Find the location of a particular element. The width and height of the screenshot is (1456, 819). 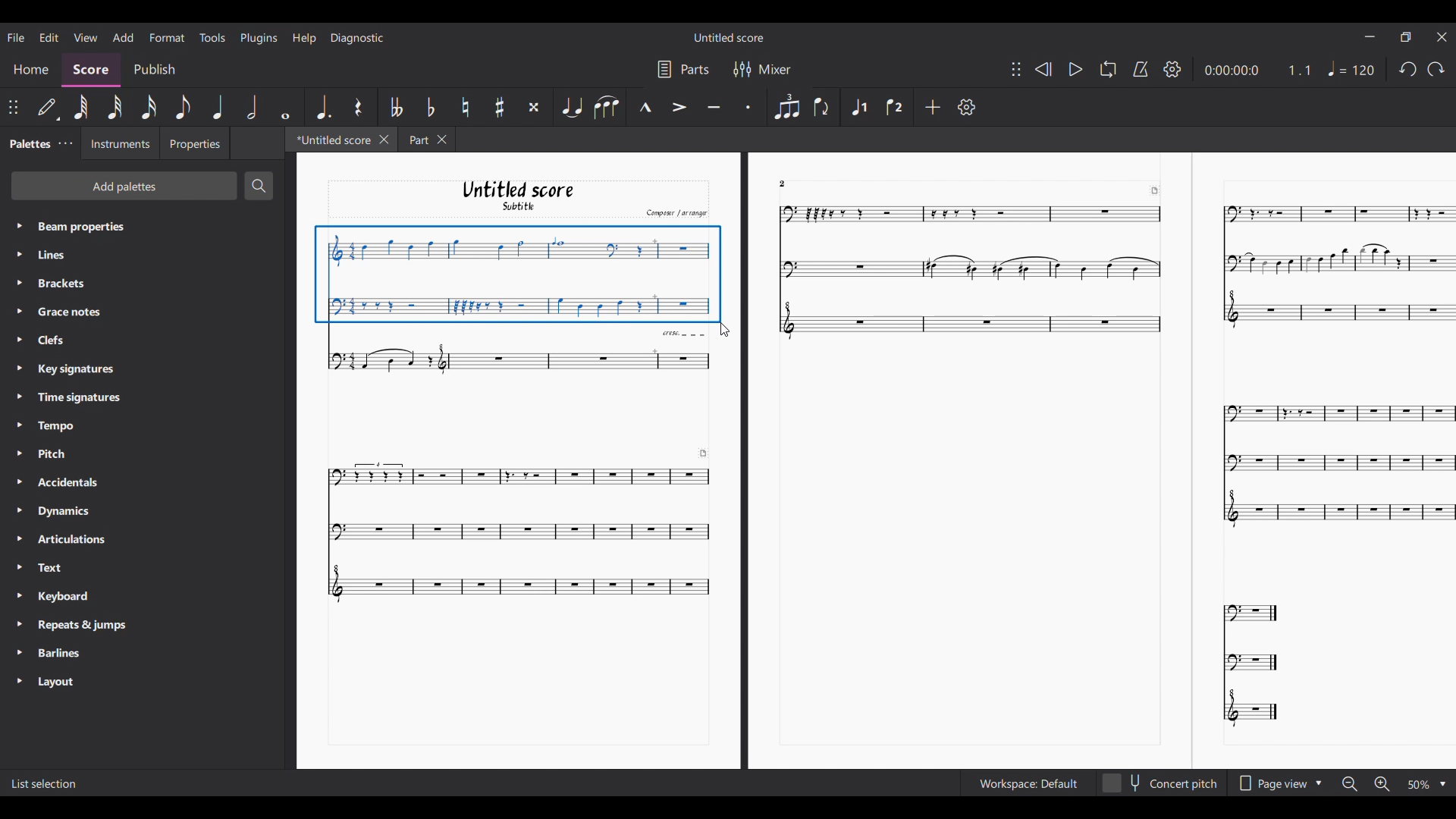

Close is located at coordinates (384, 140).